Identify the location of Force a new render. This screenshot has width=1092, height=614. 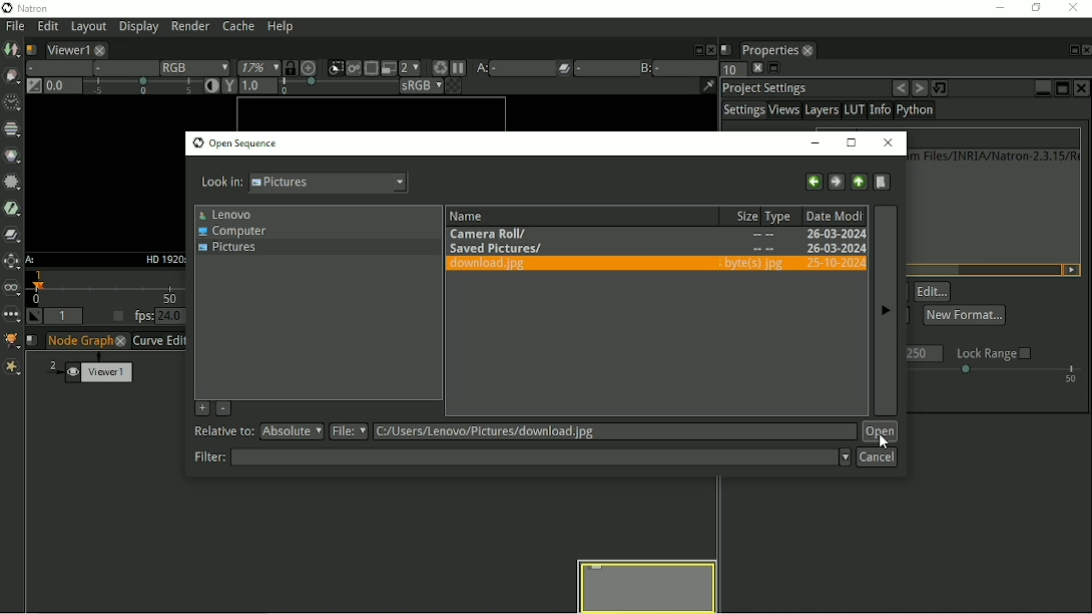
(439, 67).